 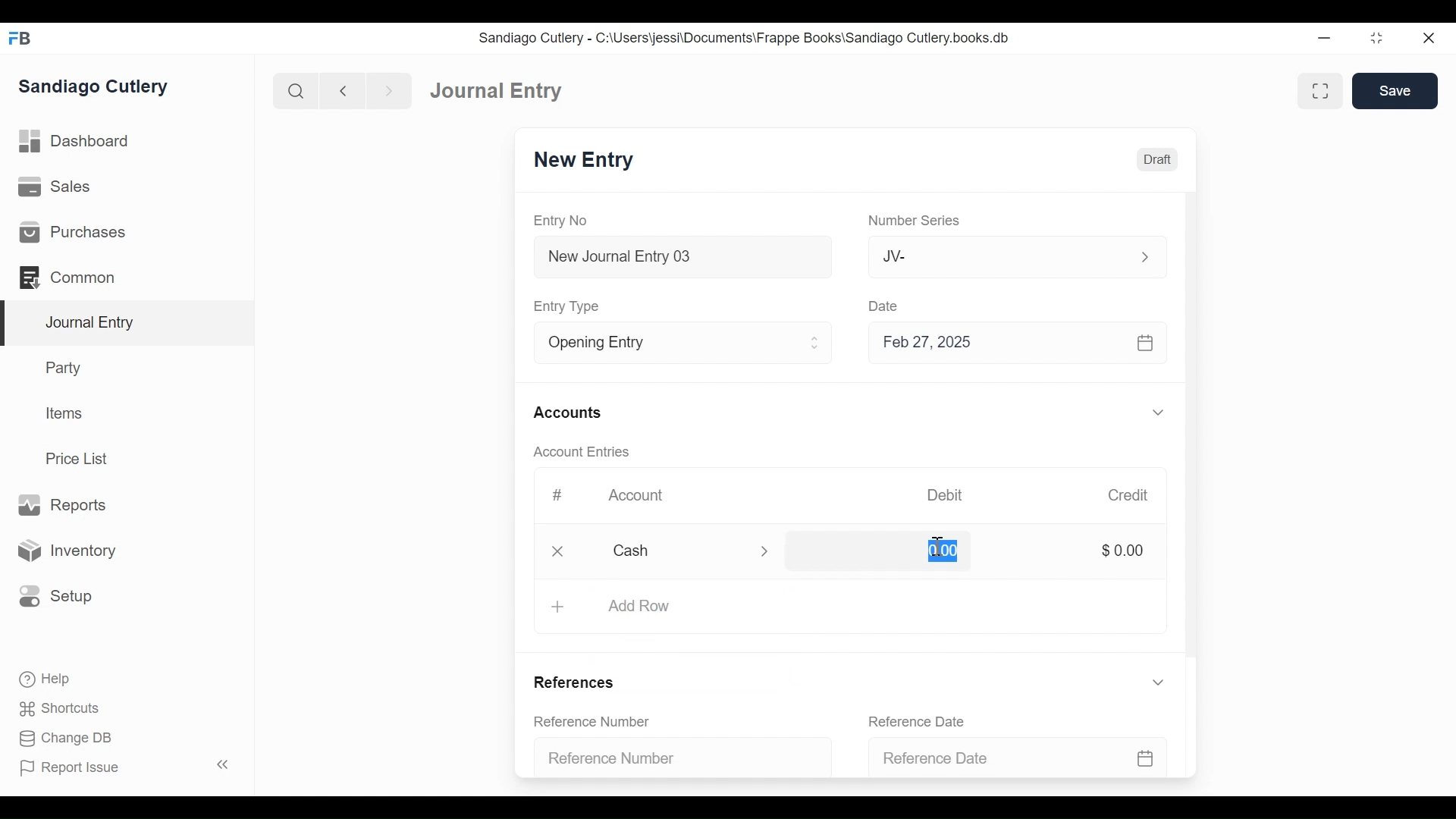 I want to click on Reference Date, so click(x=1020, y=756).